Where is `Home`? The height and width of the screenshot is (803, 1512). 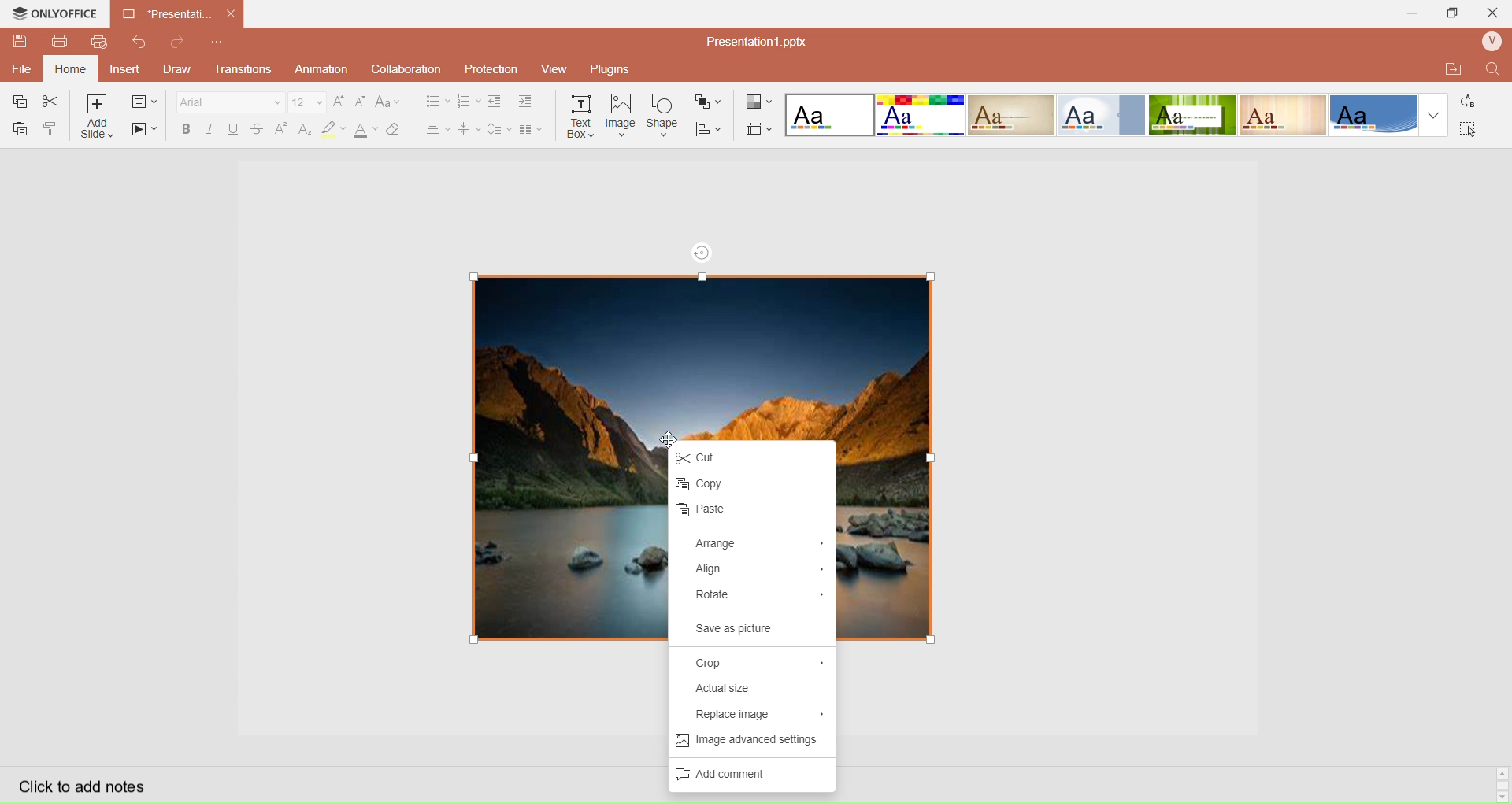
Home is located at coordinates (71, 70).